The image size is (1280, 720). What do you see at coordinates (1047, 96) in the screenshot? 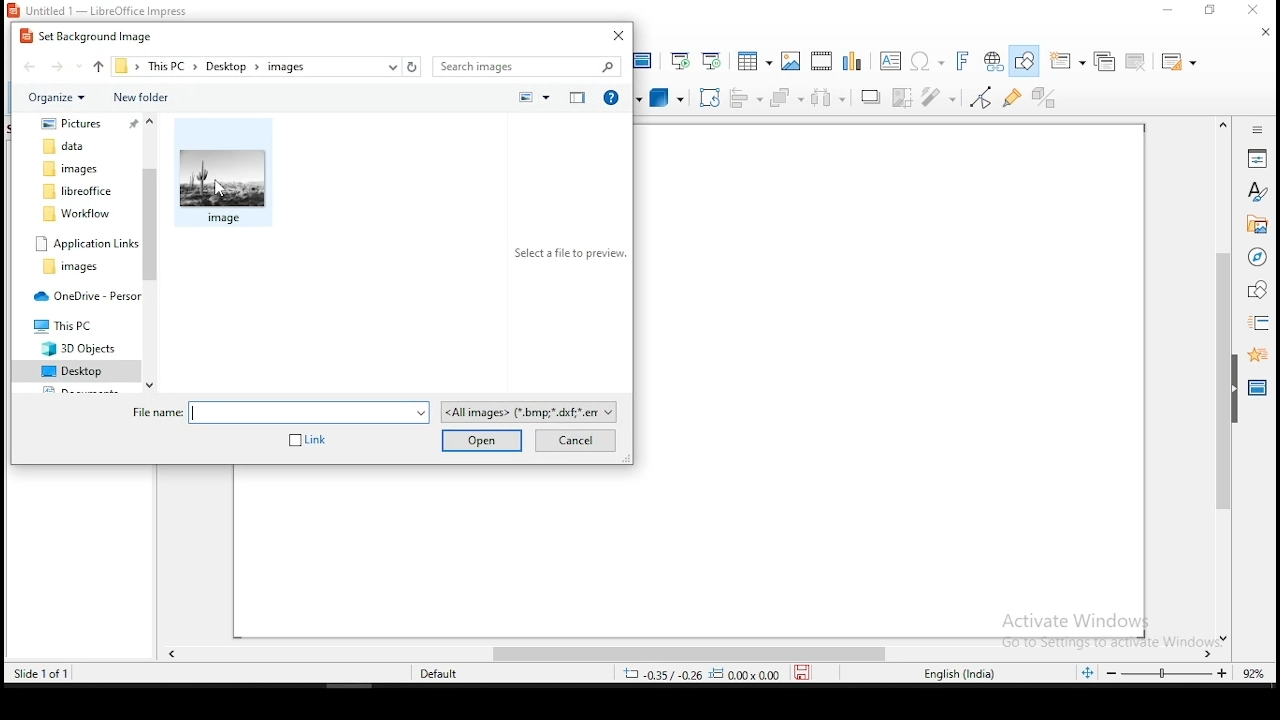
I see `toggle extrusiuon` at bounding box center [1047, 96].